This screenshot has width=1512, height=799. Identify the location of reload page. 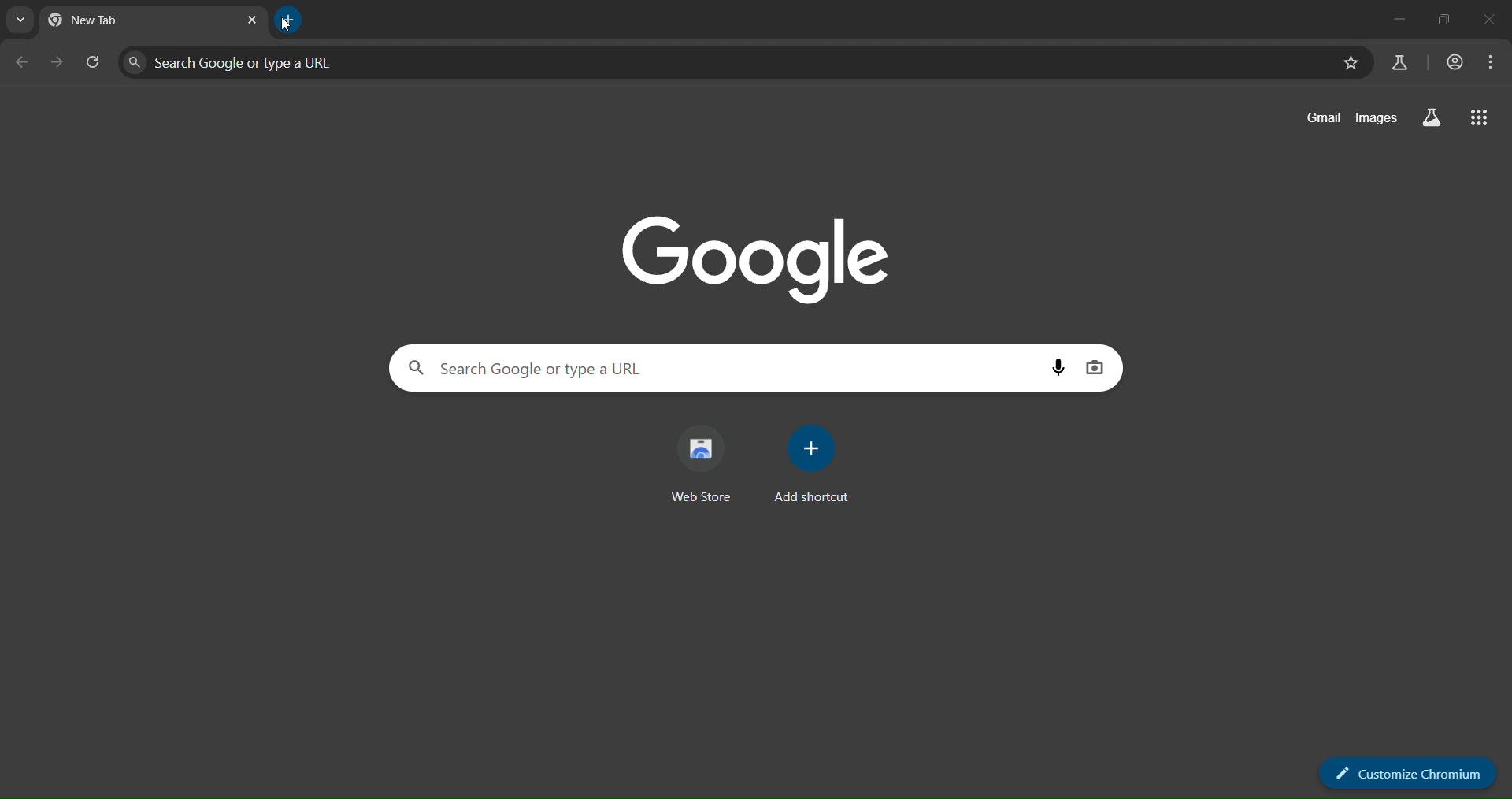
(96, 62).